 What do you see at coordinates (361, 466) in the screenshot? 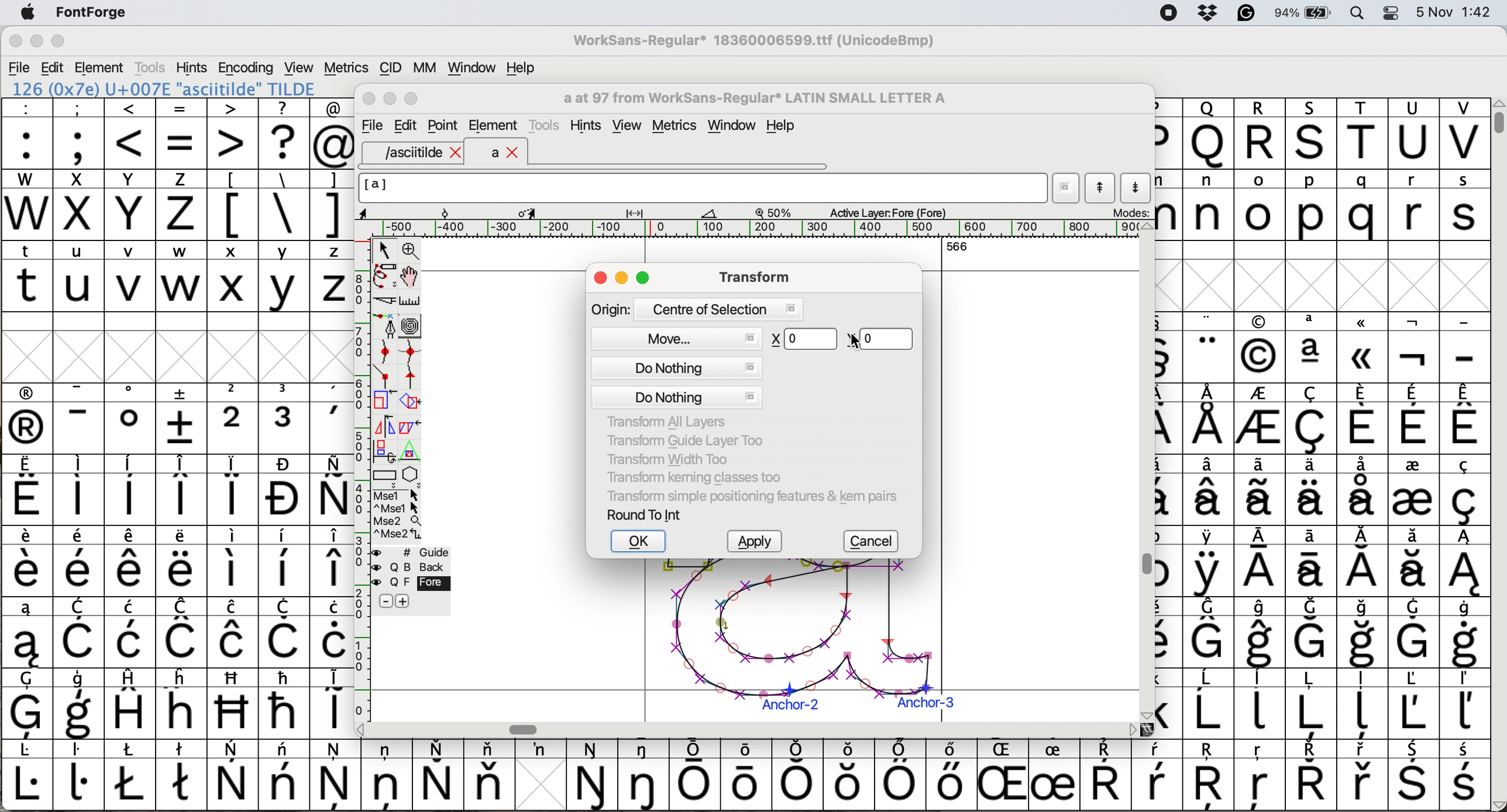
I see `vertical scale` at bounding box center [361, 466].